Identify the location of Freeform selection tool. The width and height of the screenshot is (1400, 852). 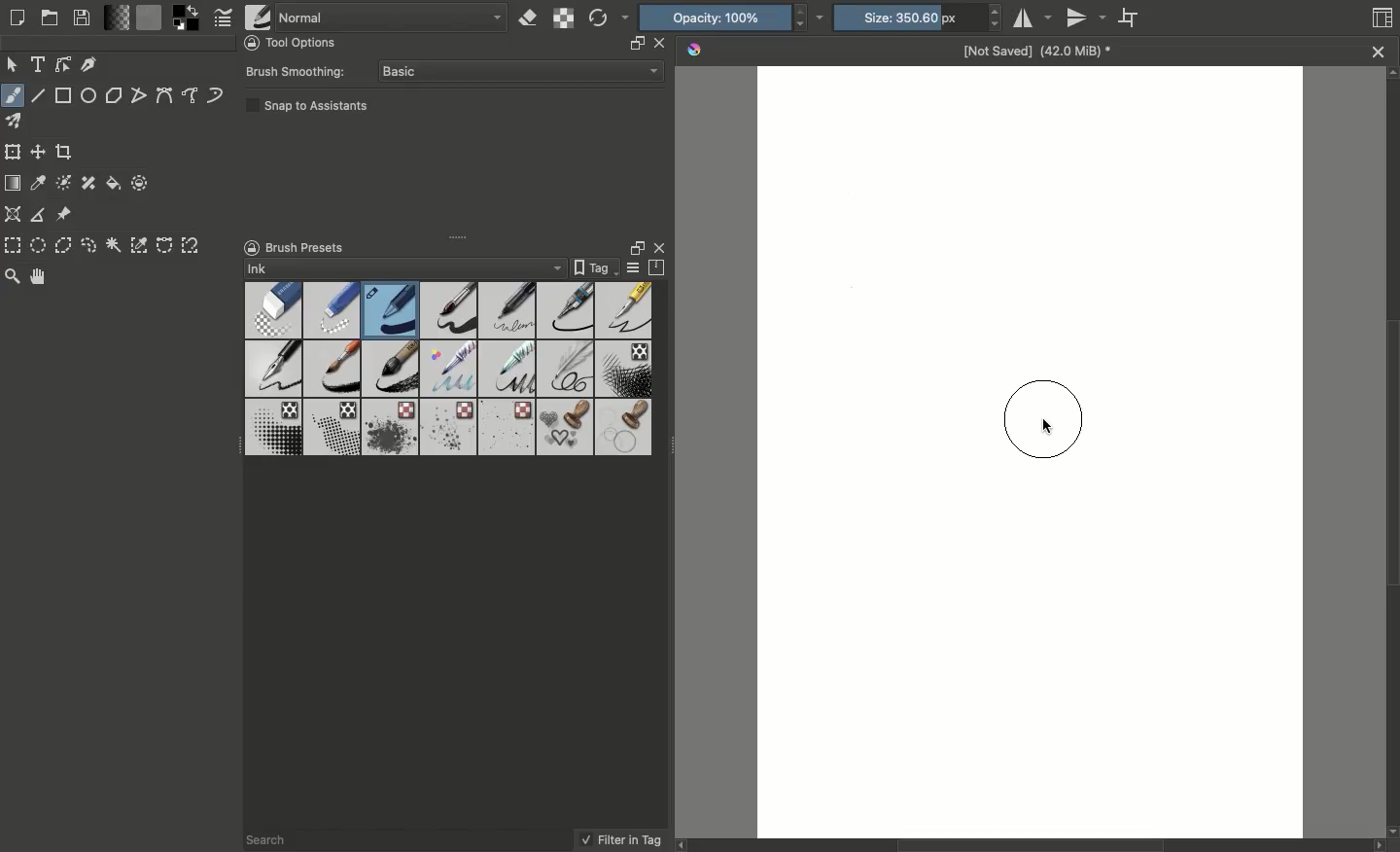
(89, 246).